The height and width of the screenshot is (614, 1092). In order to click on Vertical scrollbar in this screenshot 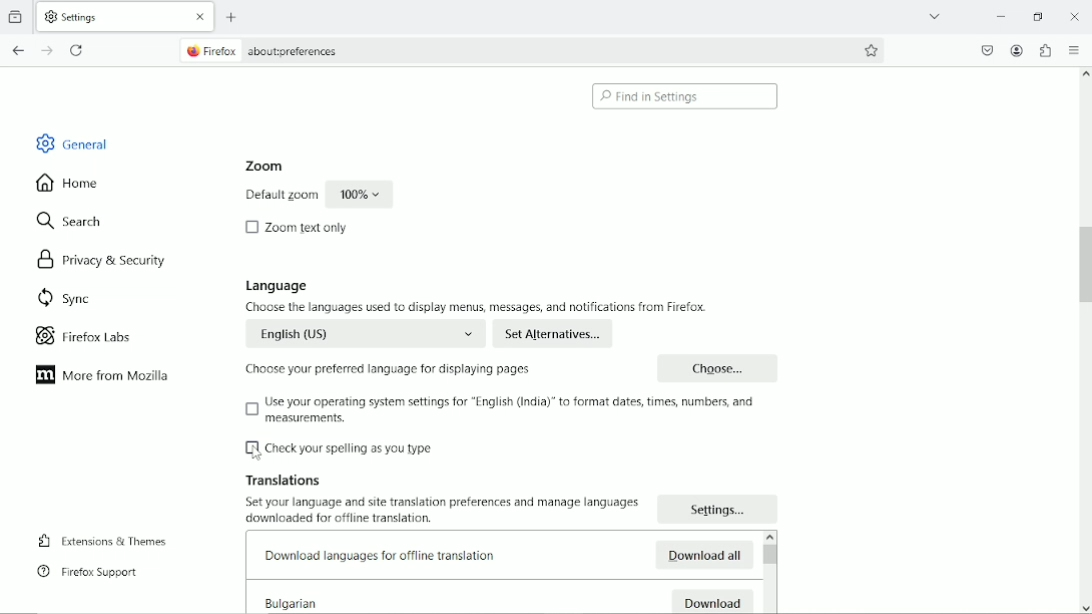, I will do `click(771, 555)`.